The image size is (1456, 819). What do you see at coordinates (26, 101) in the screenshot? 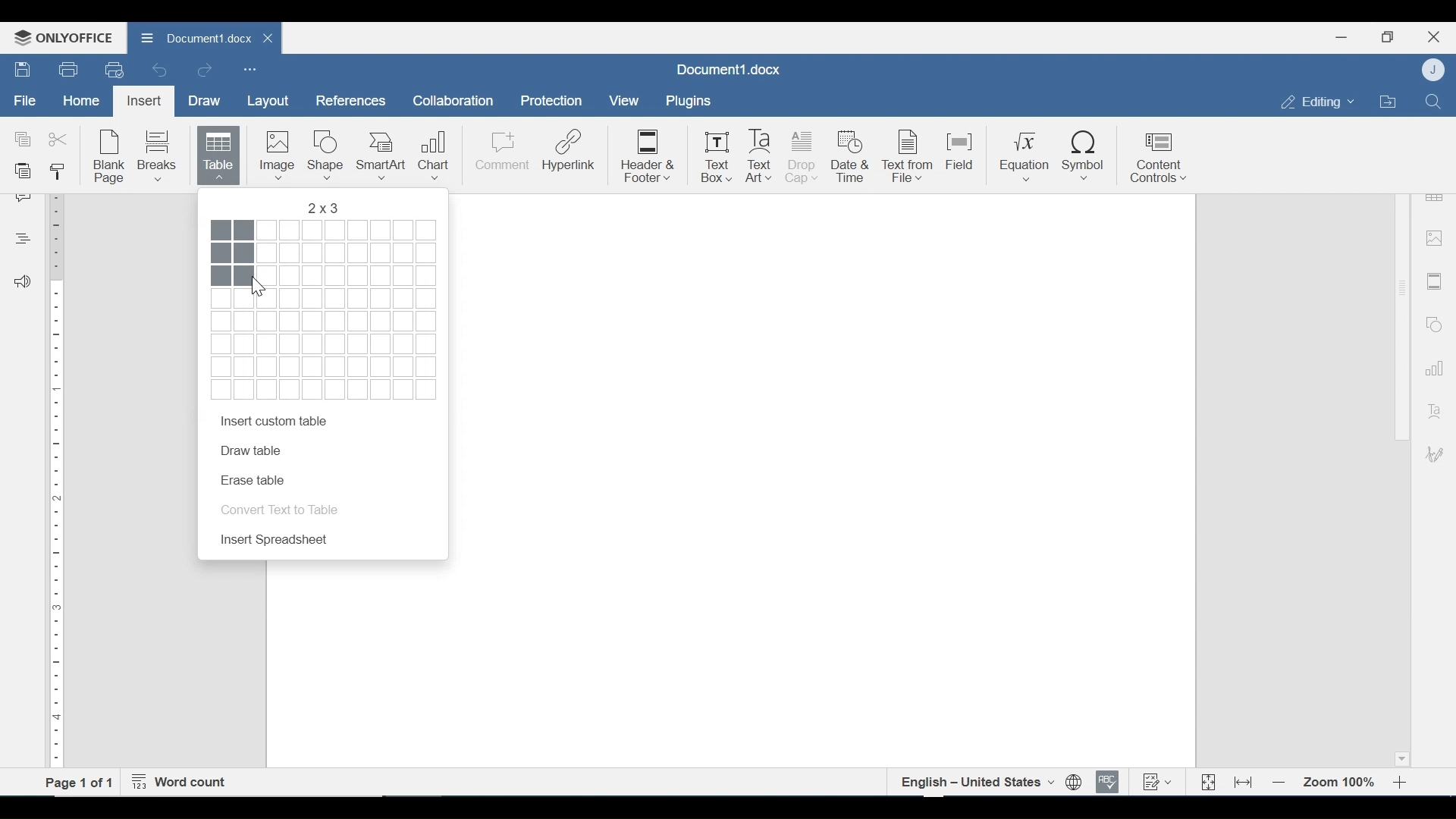
I see `File` at bounding box center [26, 101].